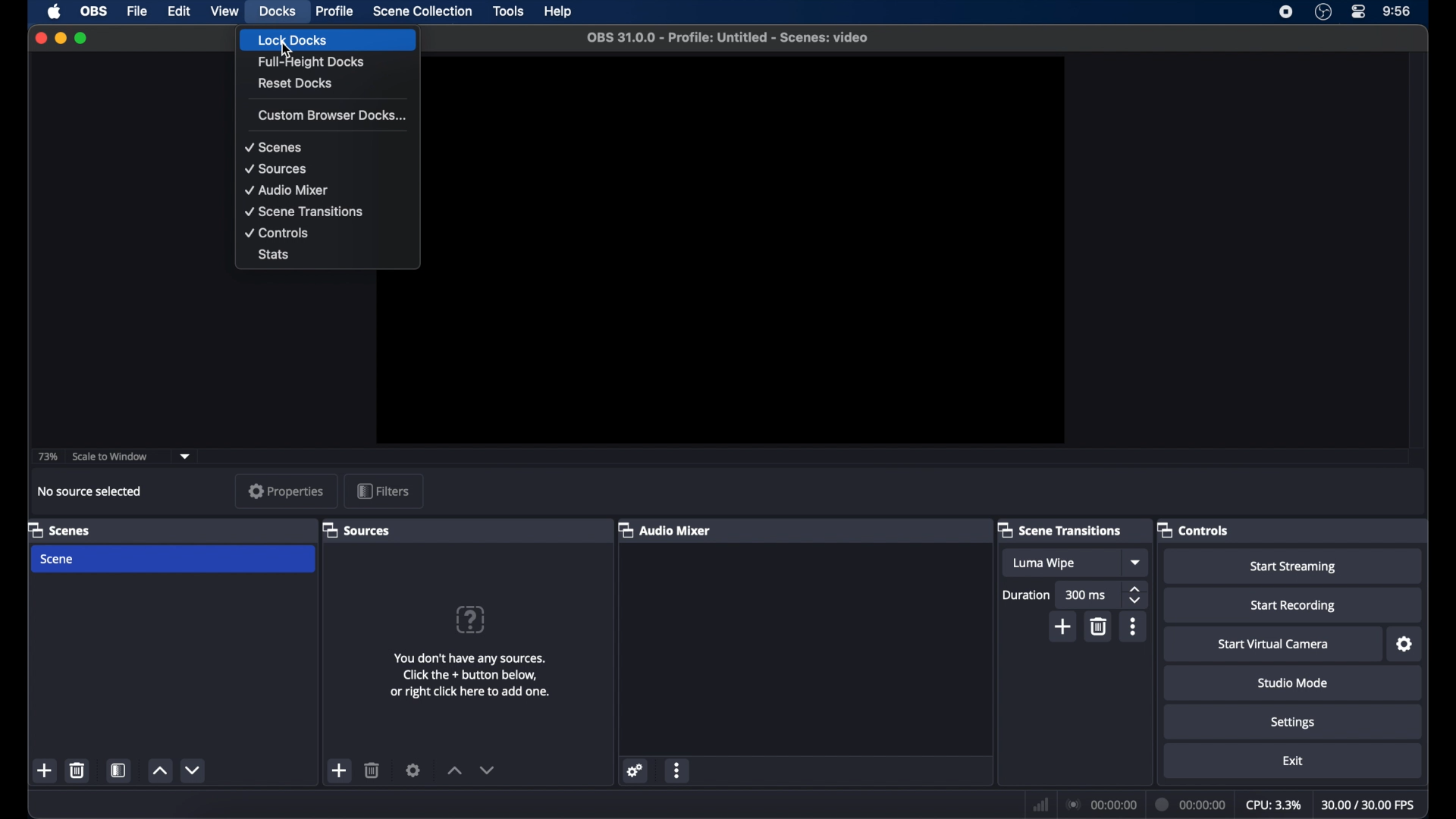 The height and width of the screenshot is (819, 1456). What do you see at coordinates (287, 190) in the screenshot?
I see `audio mixer` at bounding box center [287, 190].